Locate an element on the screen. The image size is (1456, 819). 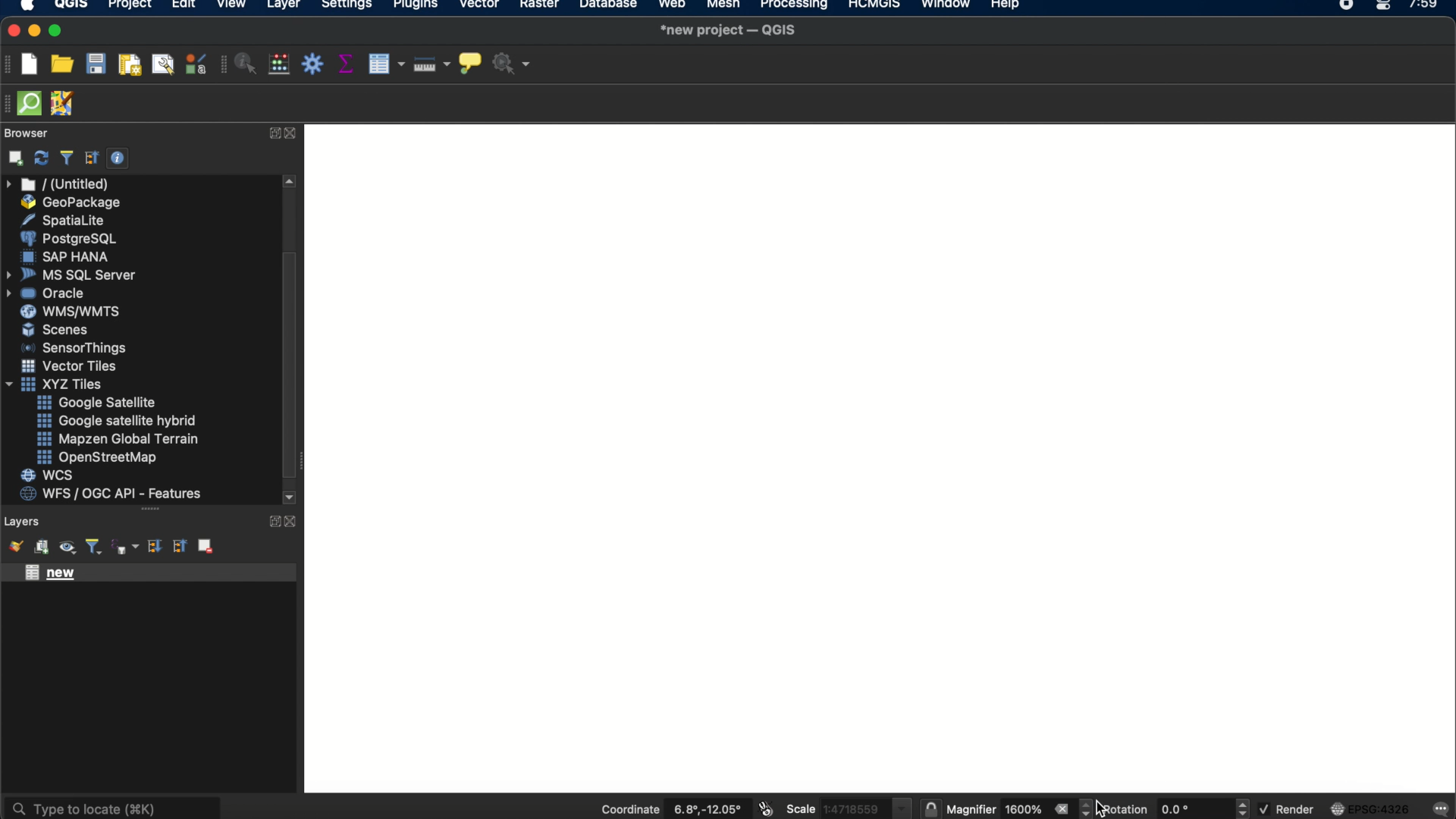
web is located at coordinates (673, 6).